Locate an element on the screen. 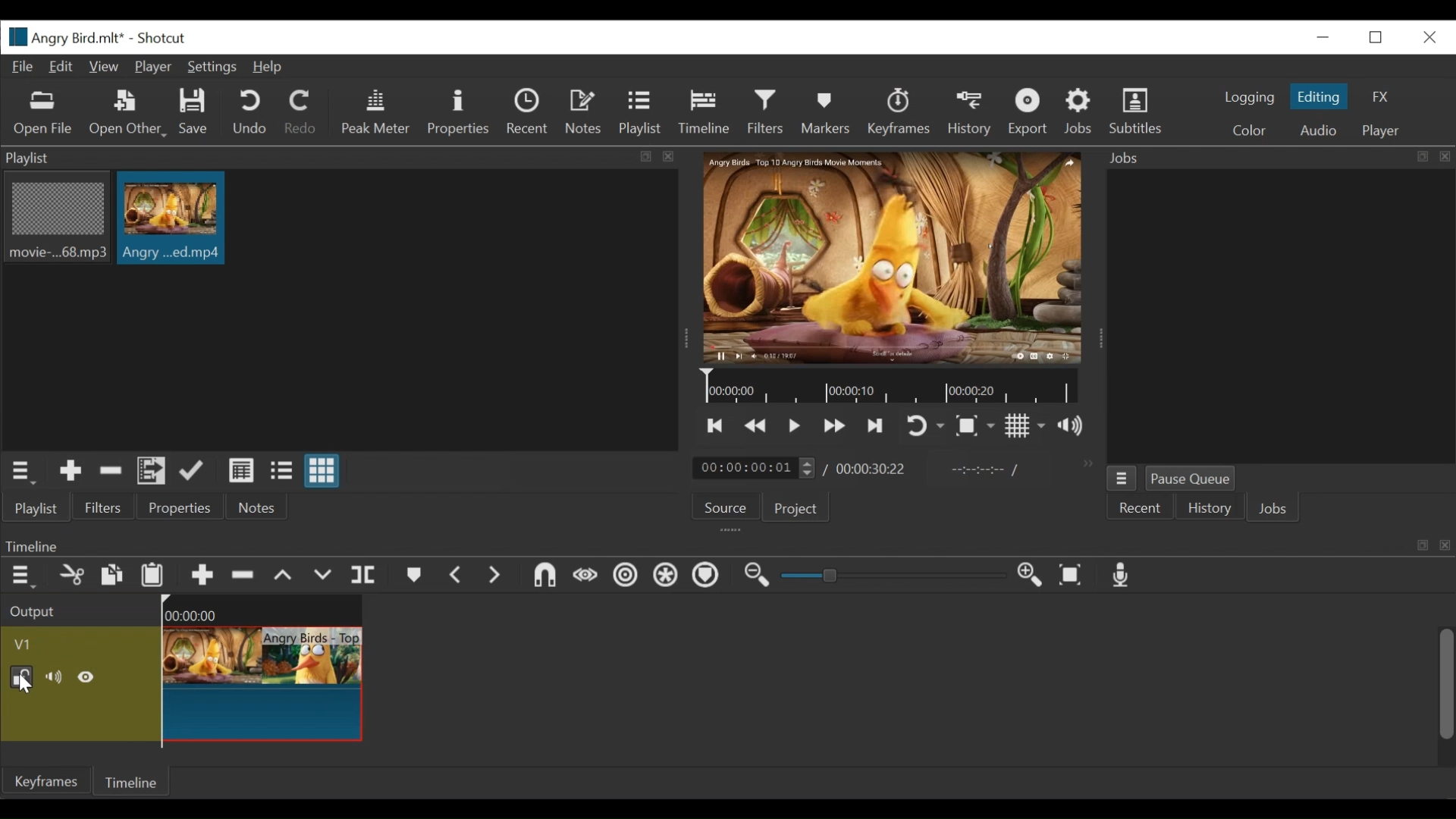  Next Marker is located at coordinates (497, 577).